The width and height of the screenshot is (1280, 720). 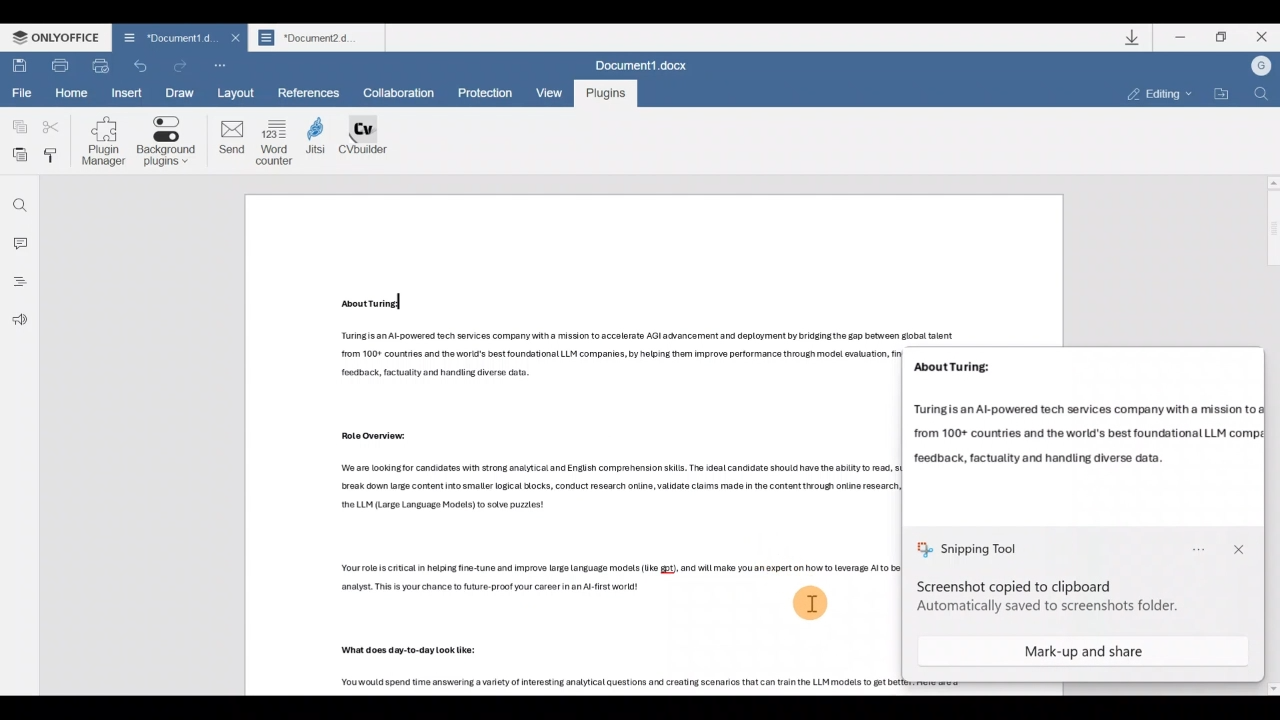 I want to click on Print file, so click(x=59, y=65).